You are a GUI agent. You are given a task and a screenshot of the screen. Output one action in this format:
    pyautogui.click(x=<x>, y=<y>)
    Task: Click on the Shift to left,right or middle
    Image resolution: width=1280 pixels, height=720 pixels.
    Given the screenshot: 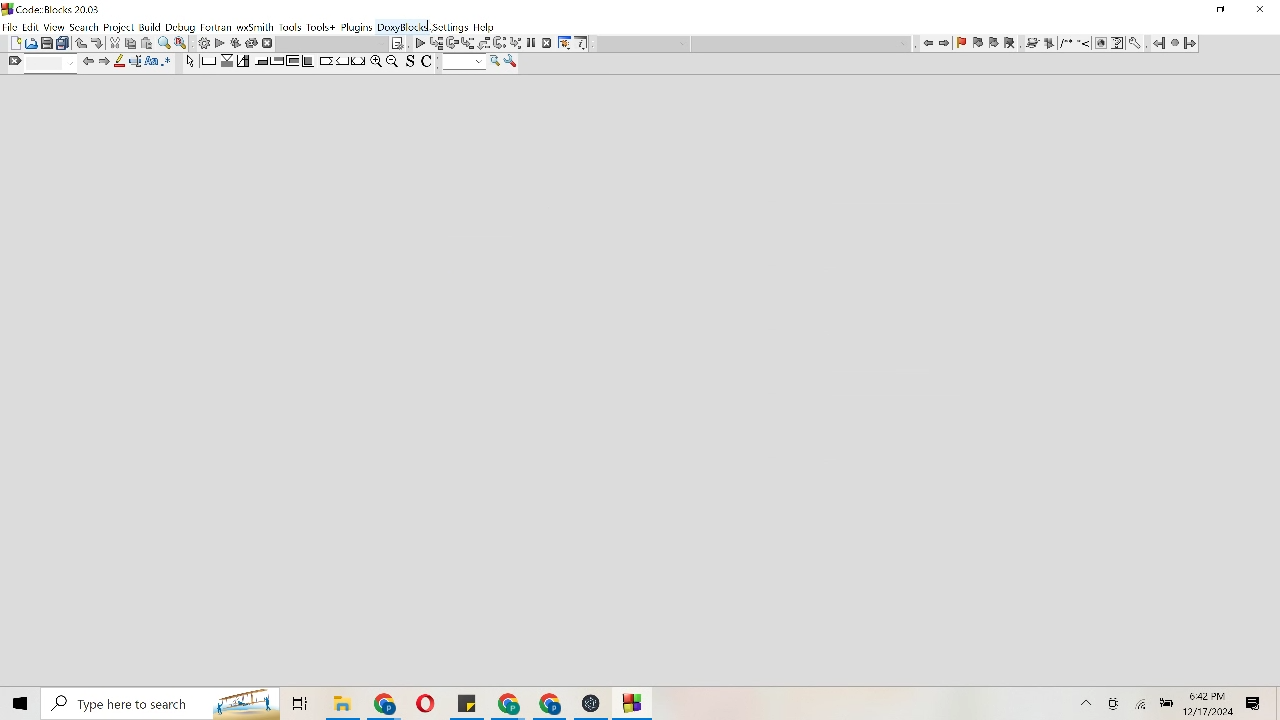 What is the action you would take?
    pyautogui.click(x=342, y=61)
    